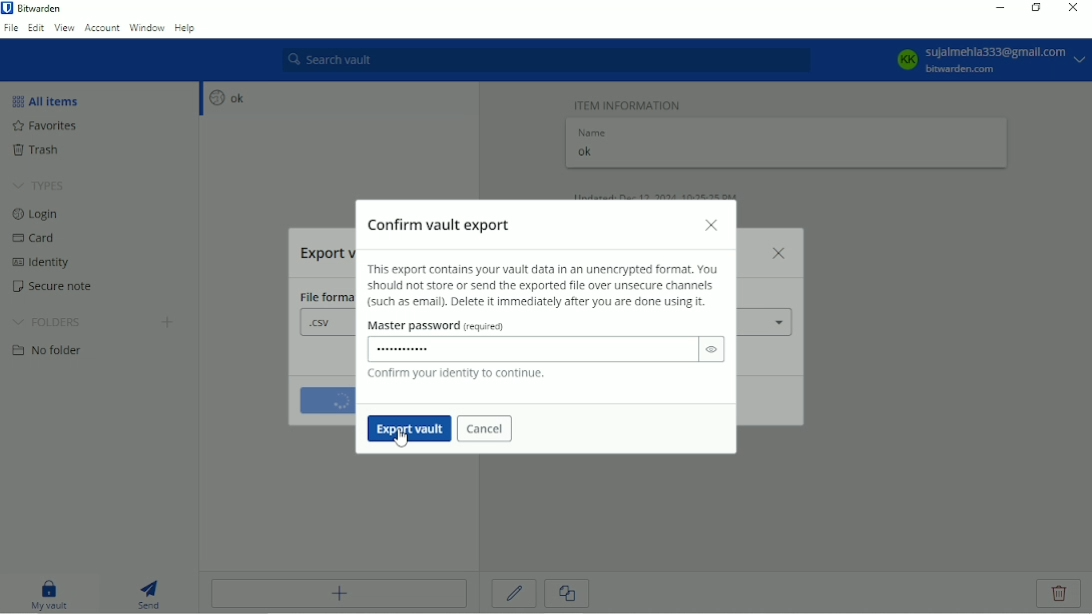 Image resolution: width=1092 pixels, height=614 pixels. What do you see at coordinates (169, 324) in the screenshot?
I see `Create folder` at bounding box center [169, 324].